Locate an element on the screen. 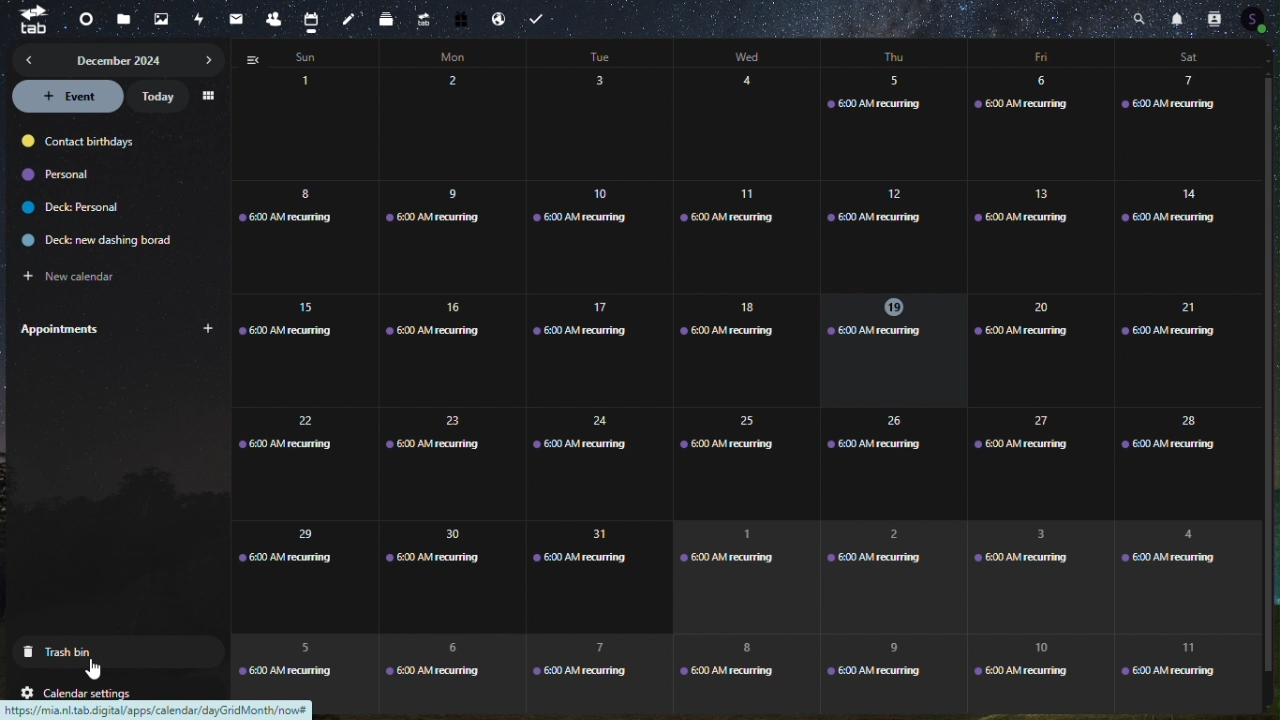  26 is located at coordinates (874, 459).